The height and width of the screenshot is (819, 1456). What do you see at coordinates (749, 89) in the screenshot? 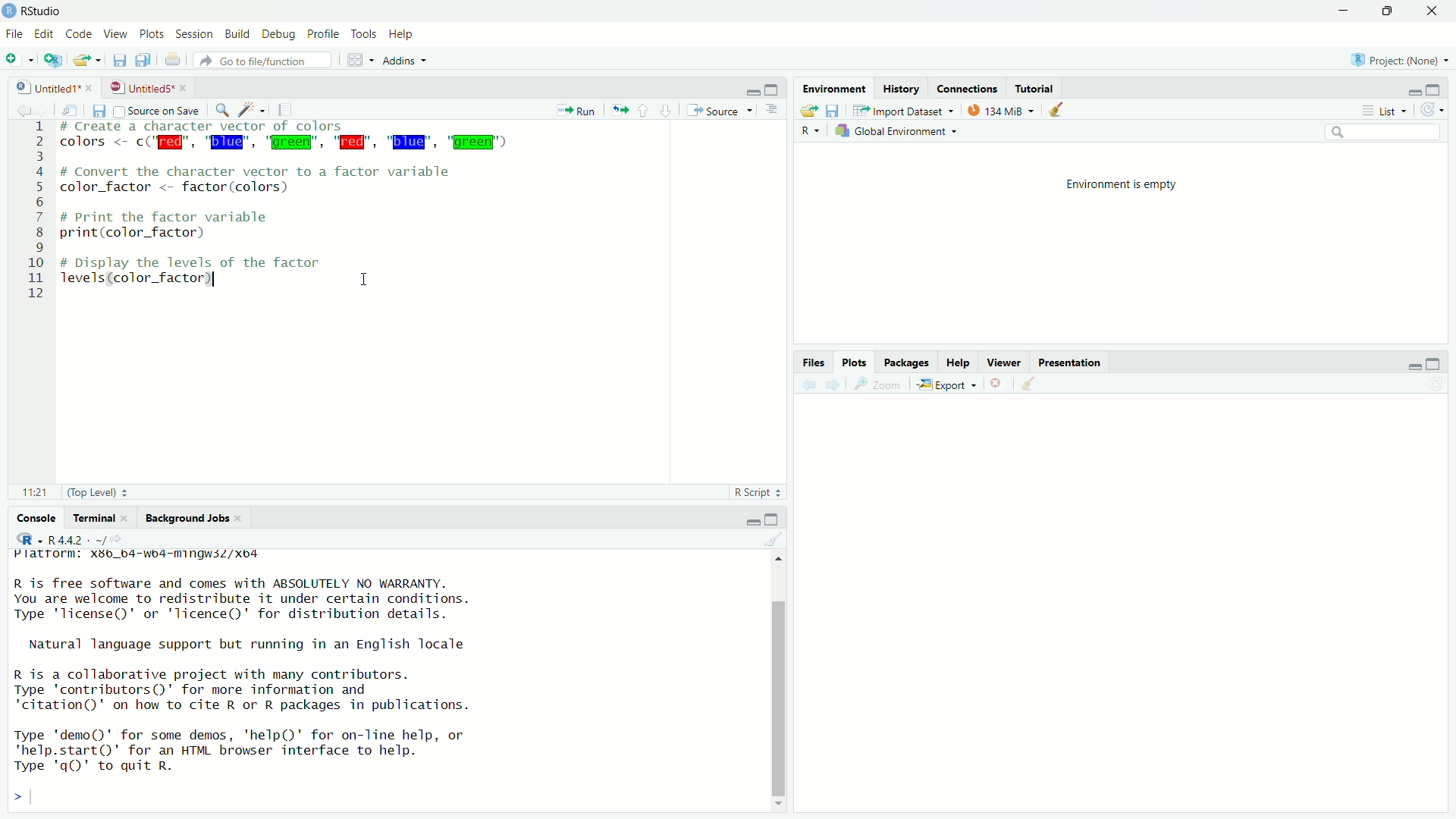
I see `minimize` at bounding box center [749, 89].